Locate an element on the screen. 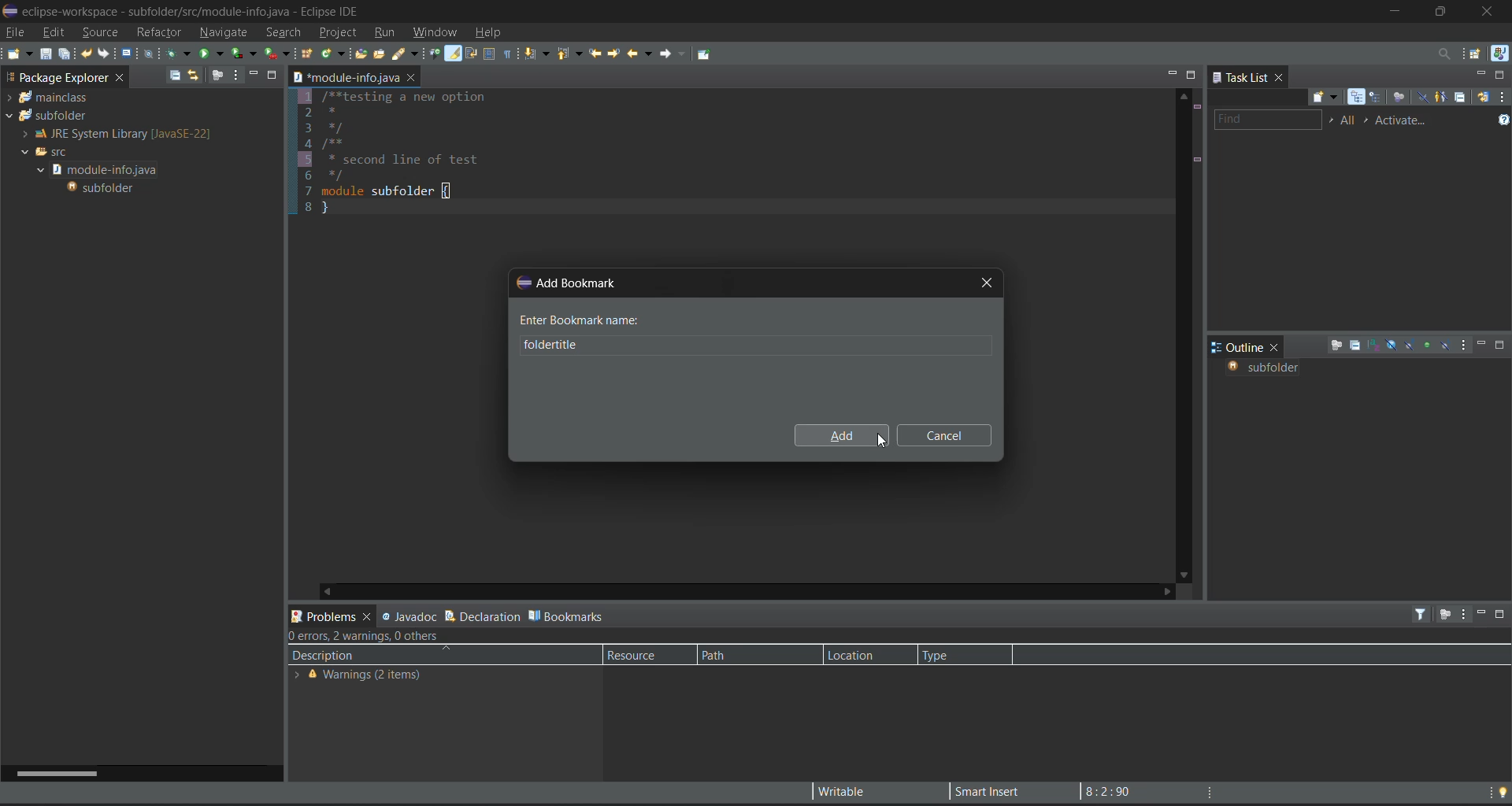  close is located at coordinates (121, 80).